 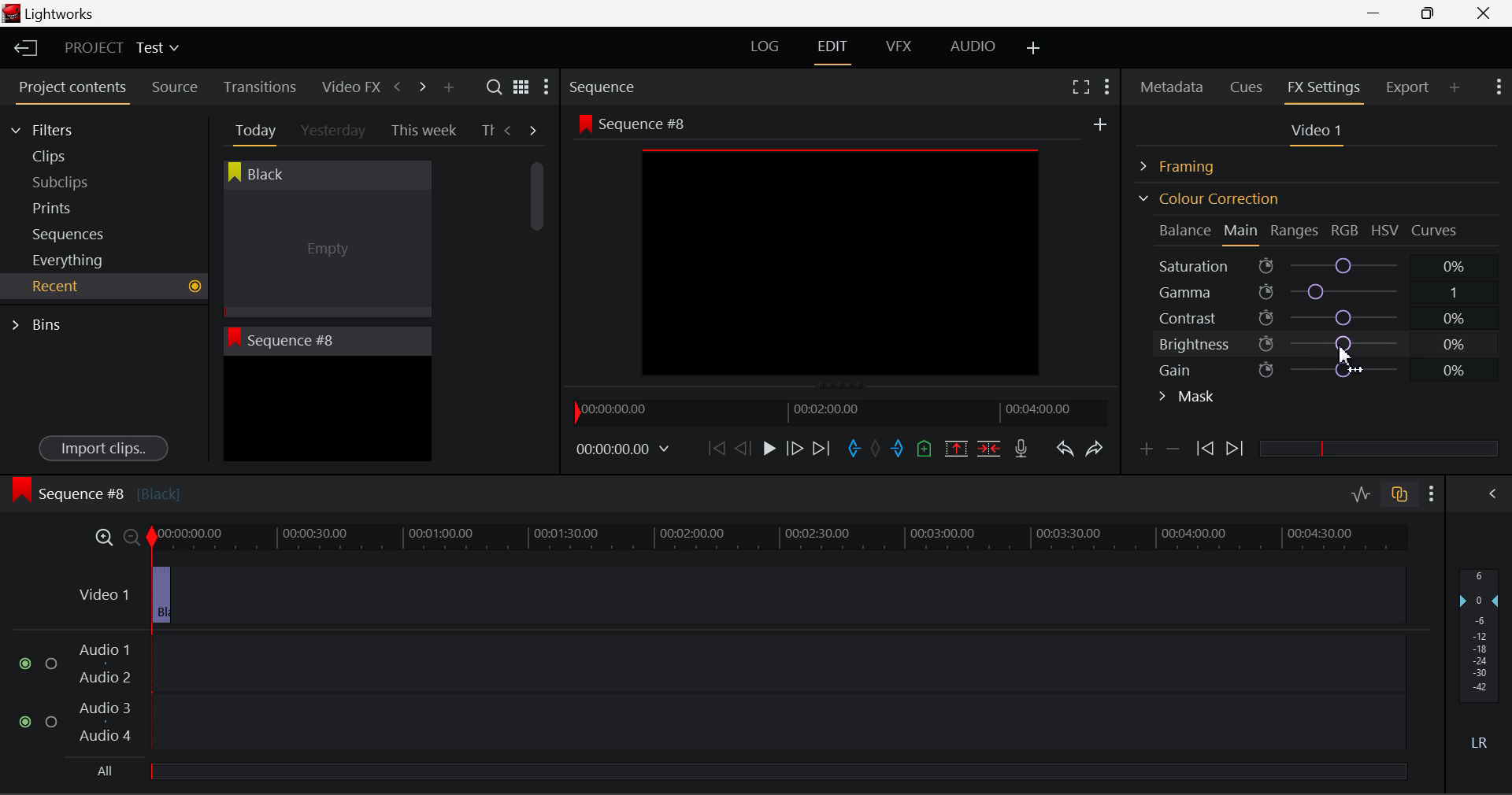 I want to click on Delete keyframe, so click(x=1173, y=452).